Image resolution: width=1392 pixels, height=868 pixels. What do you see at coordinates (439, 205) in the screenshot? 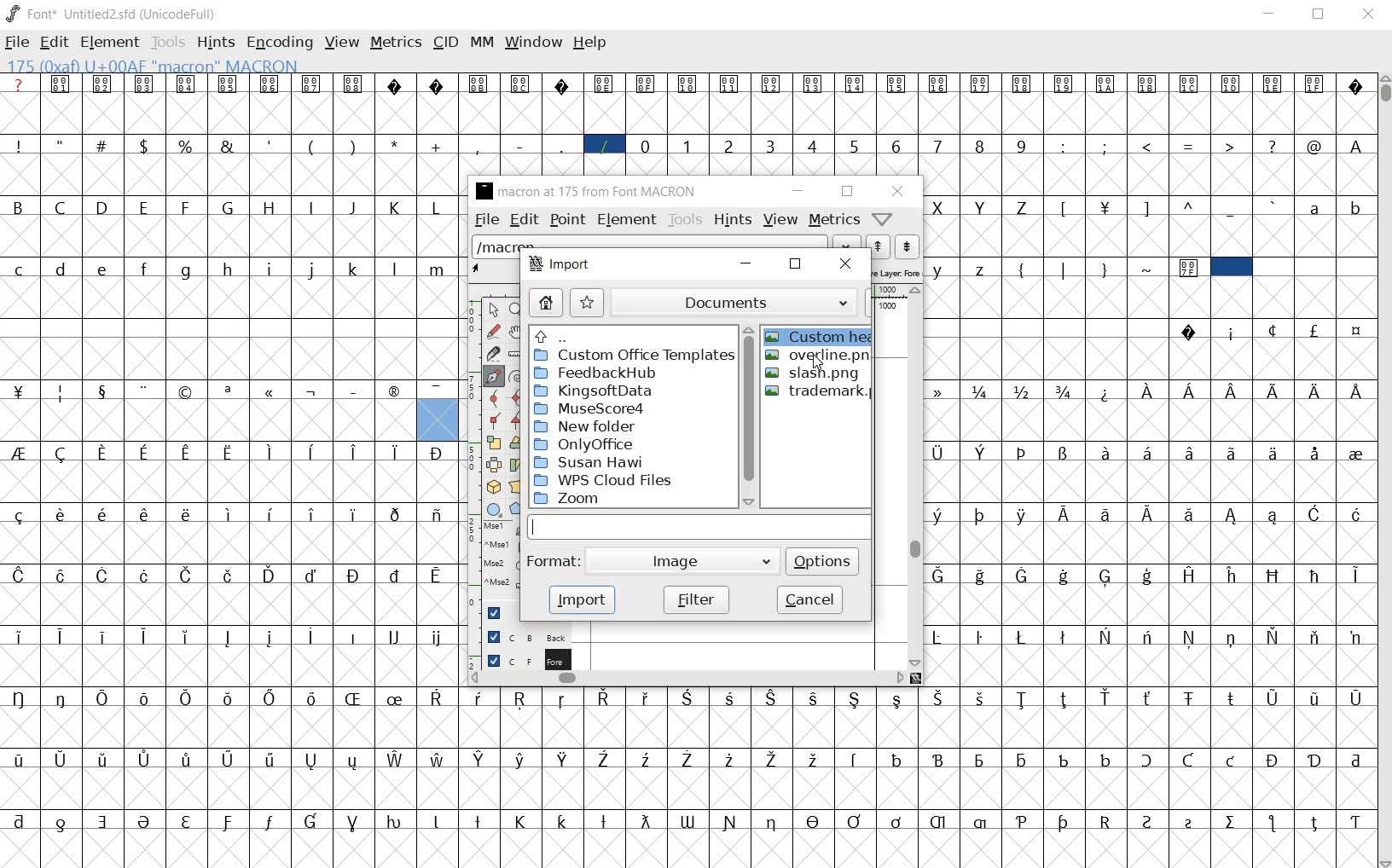
I see `L` at bounding box center [439, 205].